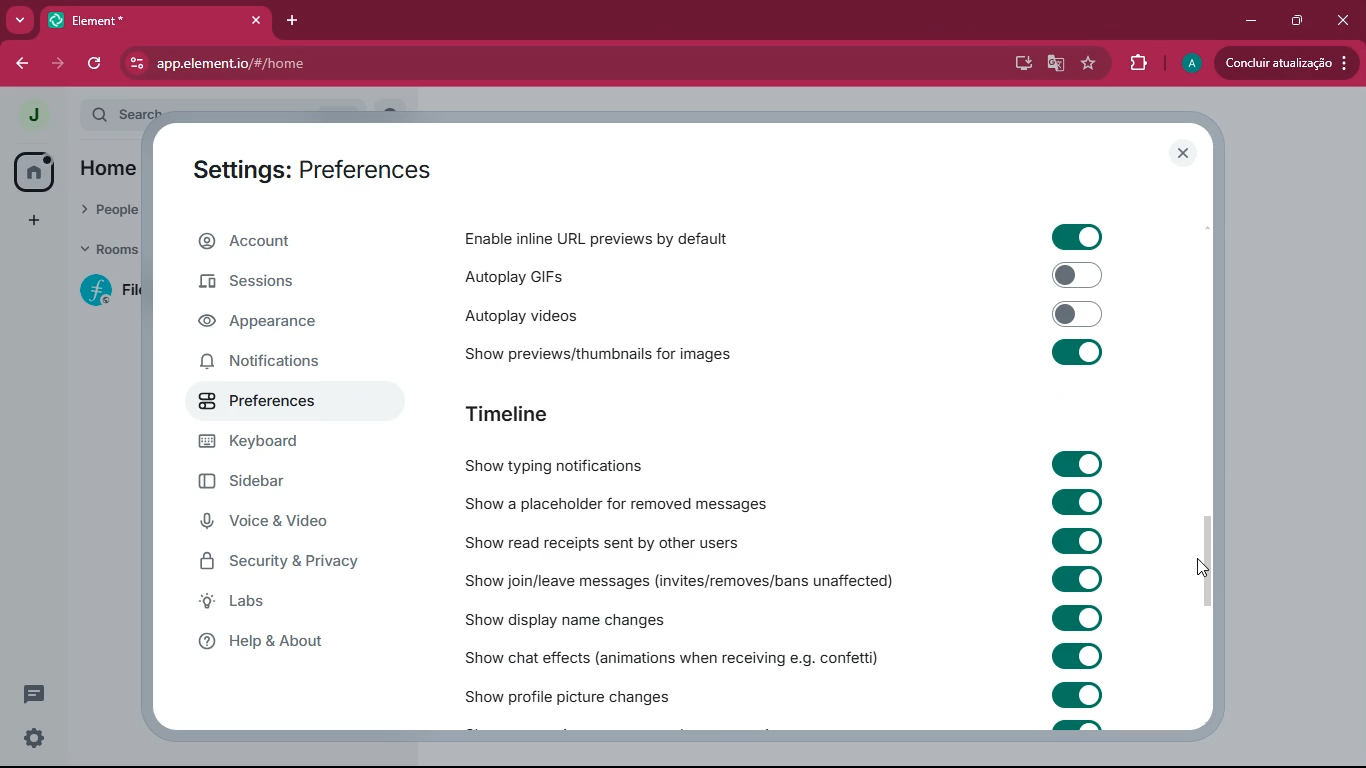  I want to click on Close, so click(1342, 18).